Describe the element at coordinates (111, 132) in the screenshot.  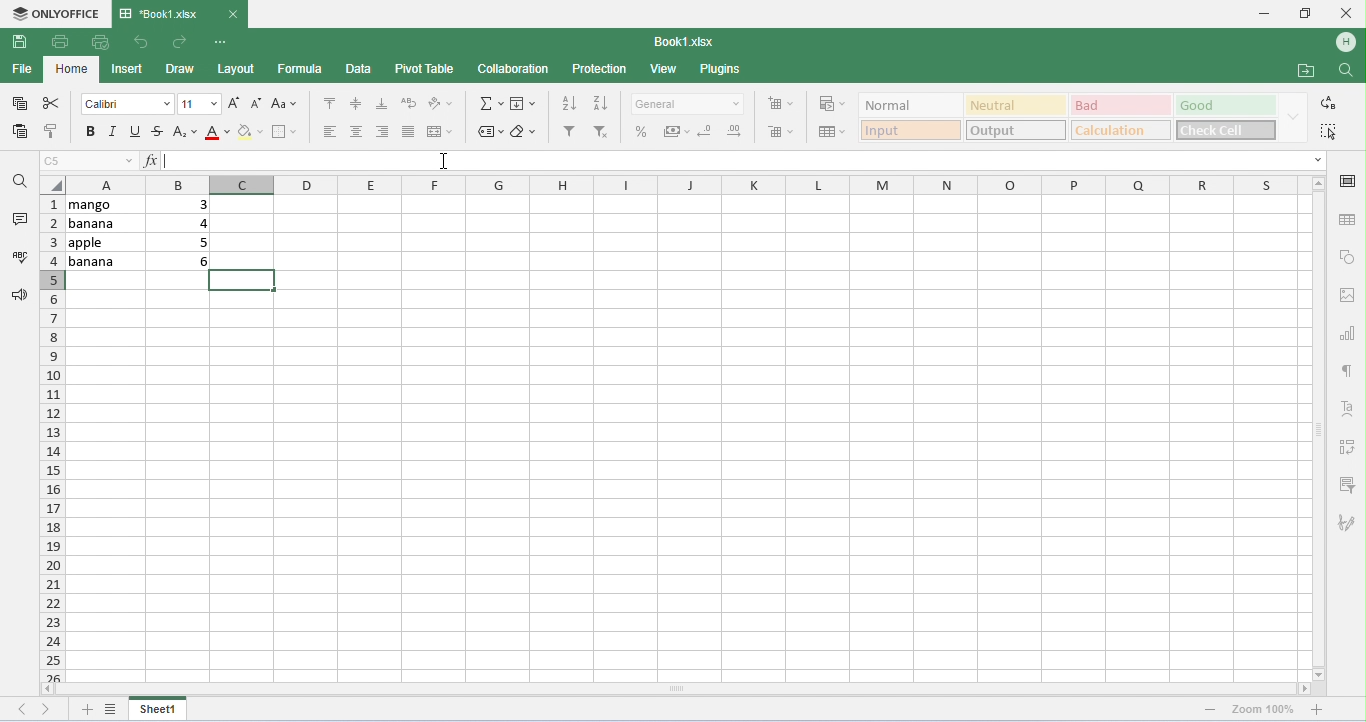
I see `italics` at that location.